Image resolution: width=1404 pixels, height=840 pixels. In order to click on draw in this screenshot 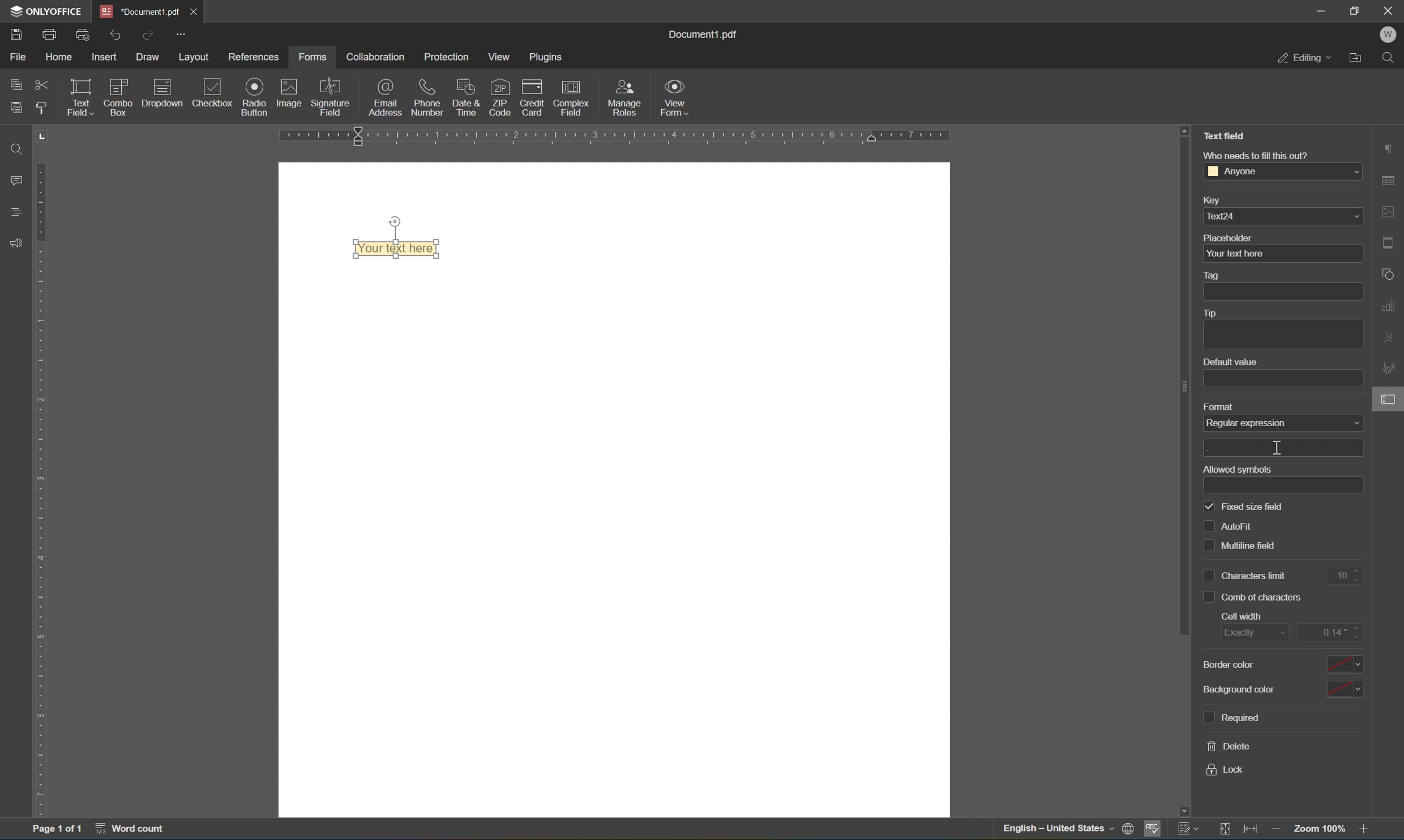, I will do `click(149, 57)`.